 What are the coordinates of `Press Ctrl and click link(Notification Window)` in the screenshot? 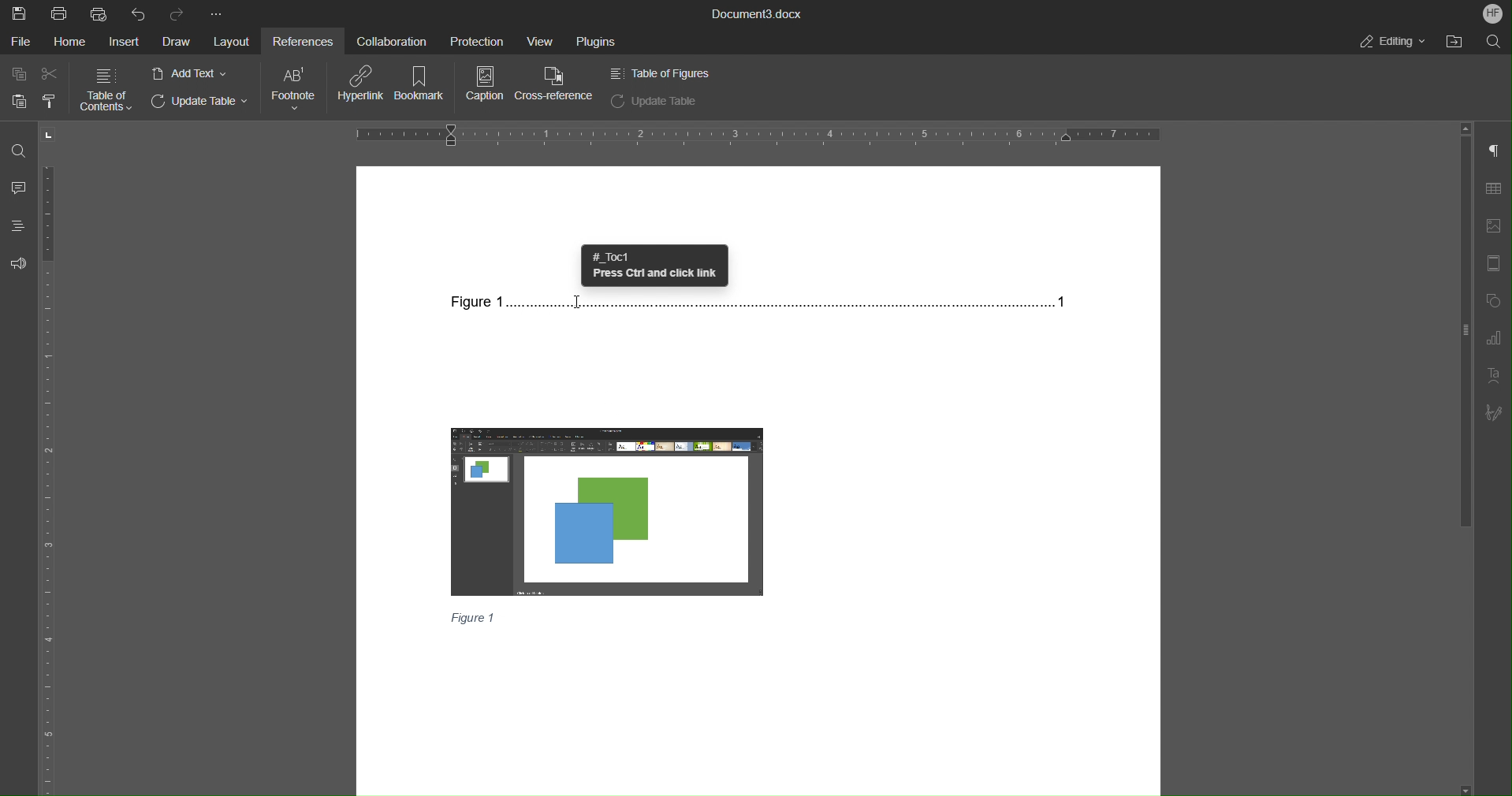 It's located at (654, 266).